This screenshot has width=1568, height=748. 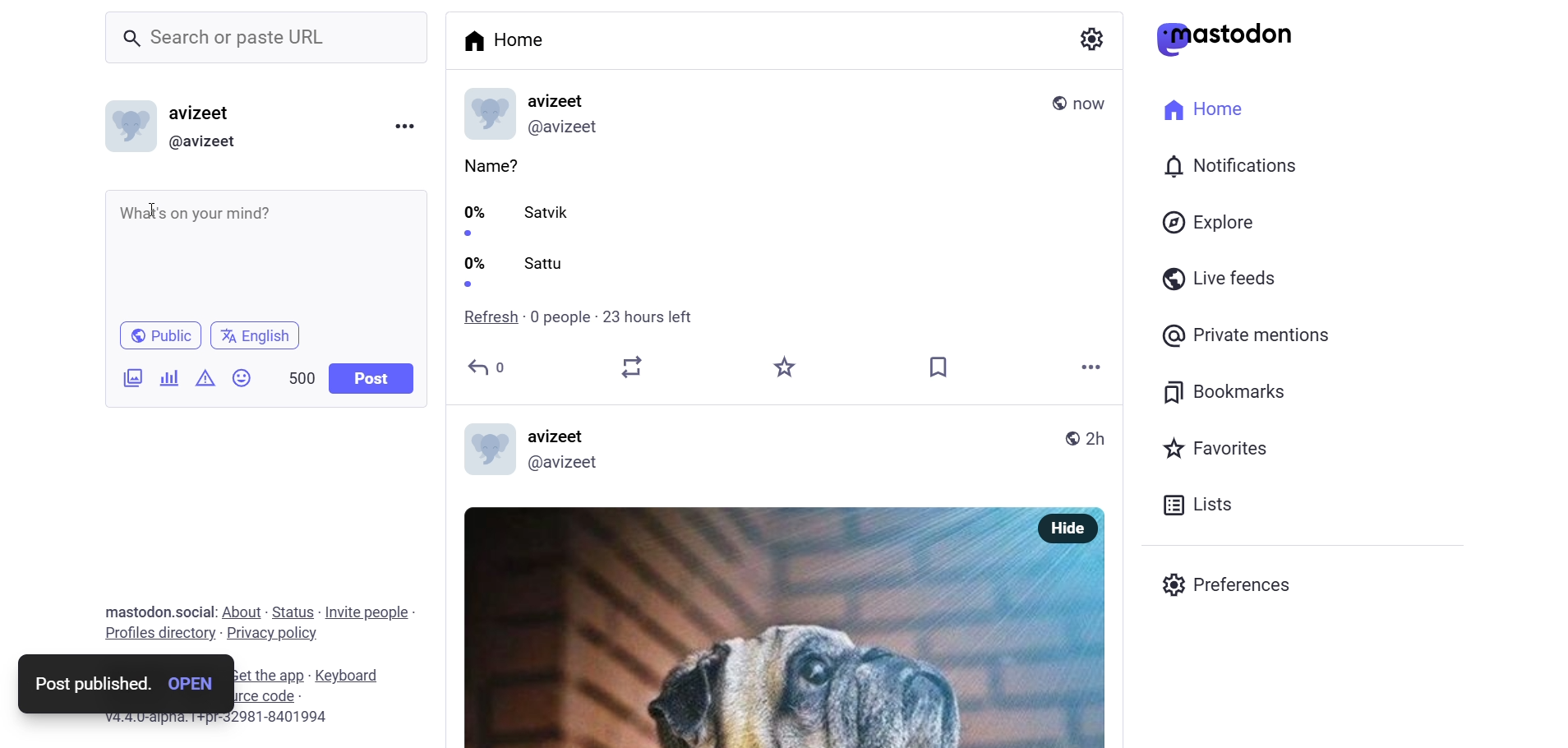 What do you see at coordinates (256, 335) in the screenshot?
I see `english` at bounding box center [256, 335].